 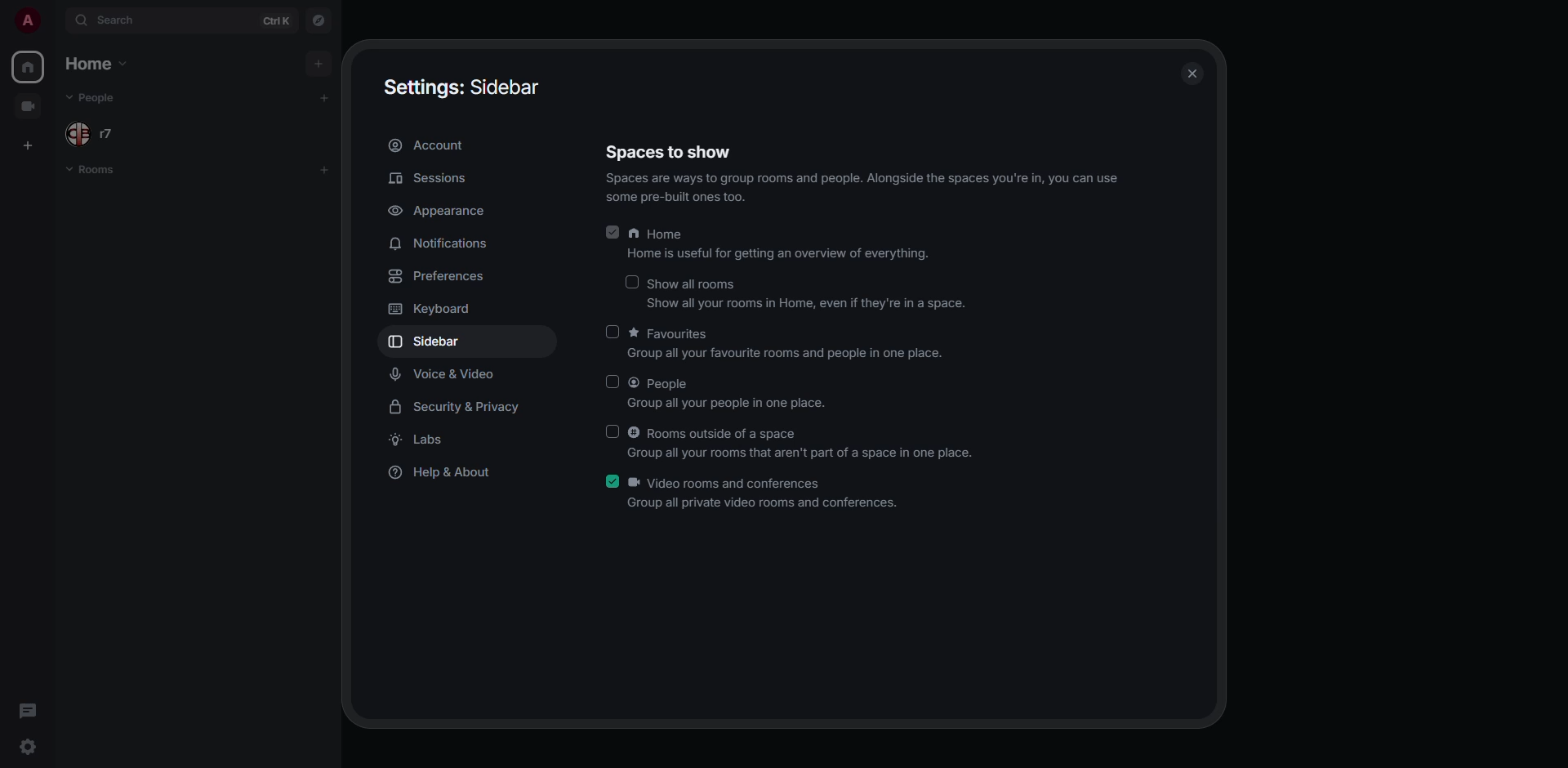 What do you see at coordinates (94, 133) in the screenshot?
I see `people` at bounding box center [94, 133].